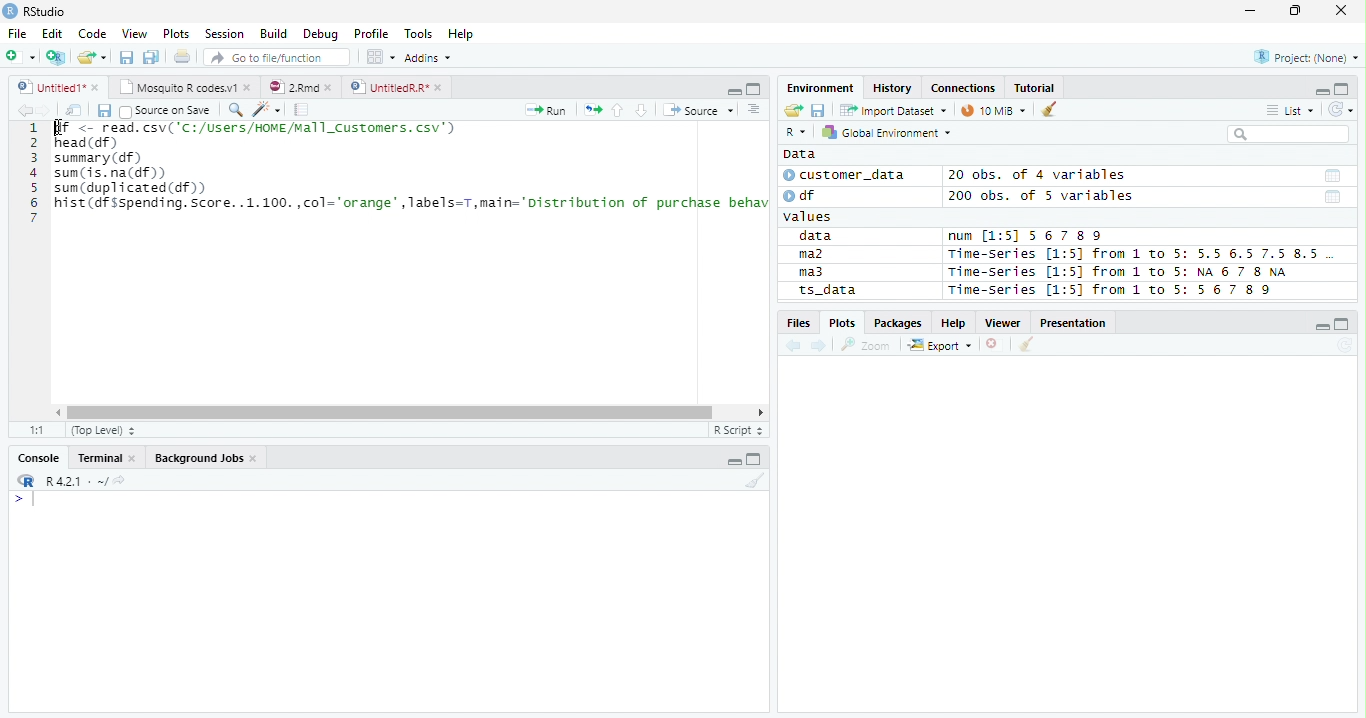 The image size is (1366, 718). I want to click on Project (none), so click(1309, 55).